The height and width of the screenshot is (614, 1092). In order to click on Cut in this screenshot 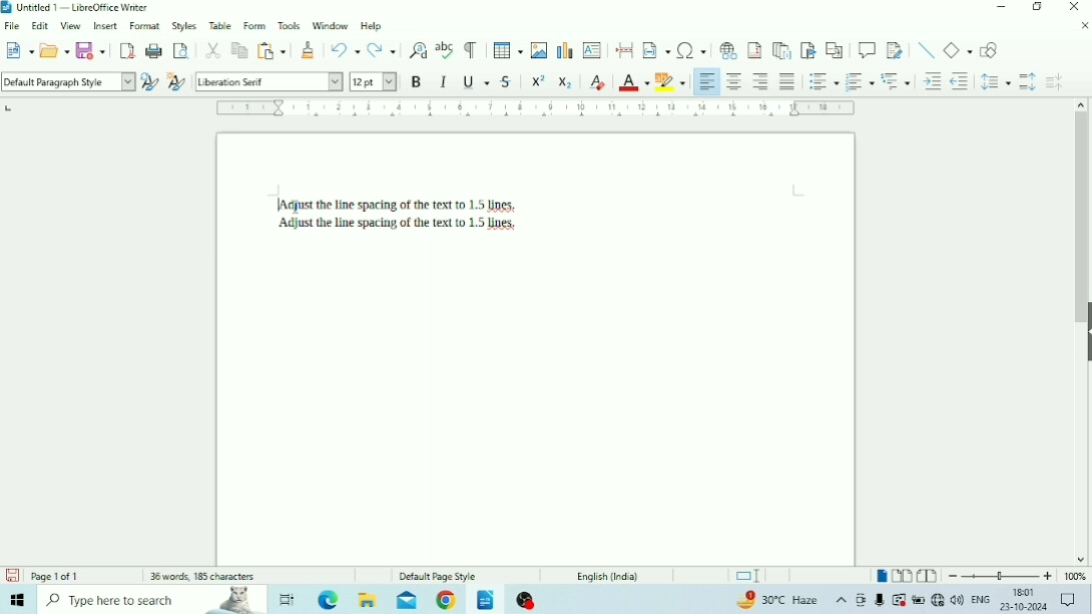, I will do `click(212, 50)`.